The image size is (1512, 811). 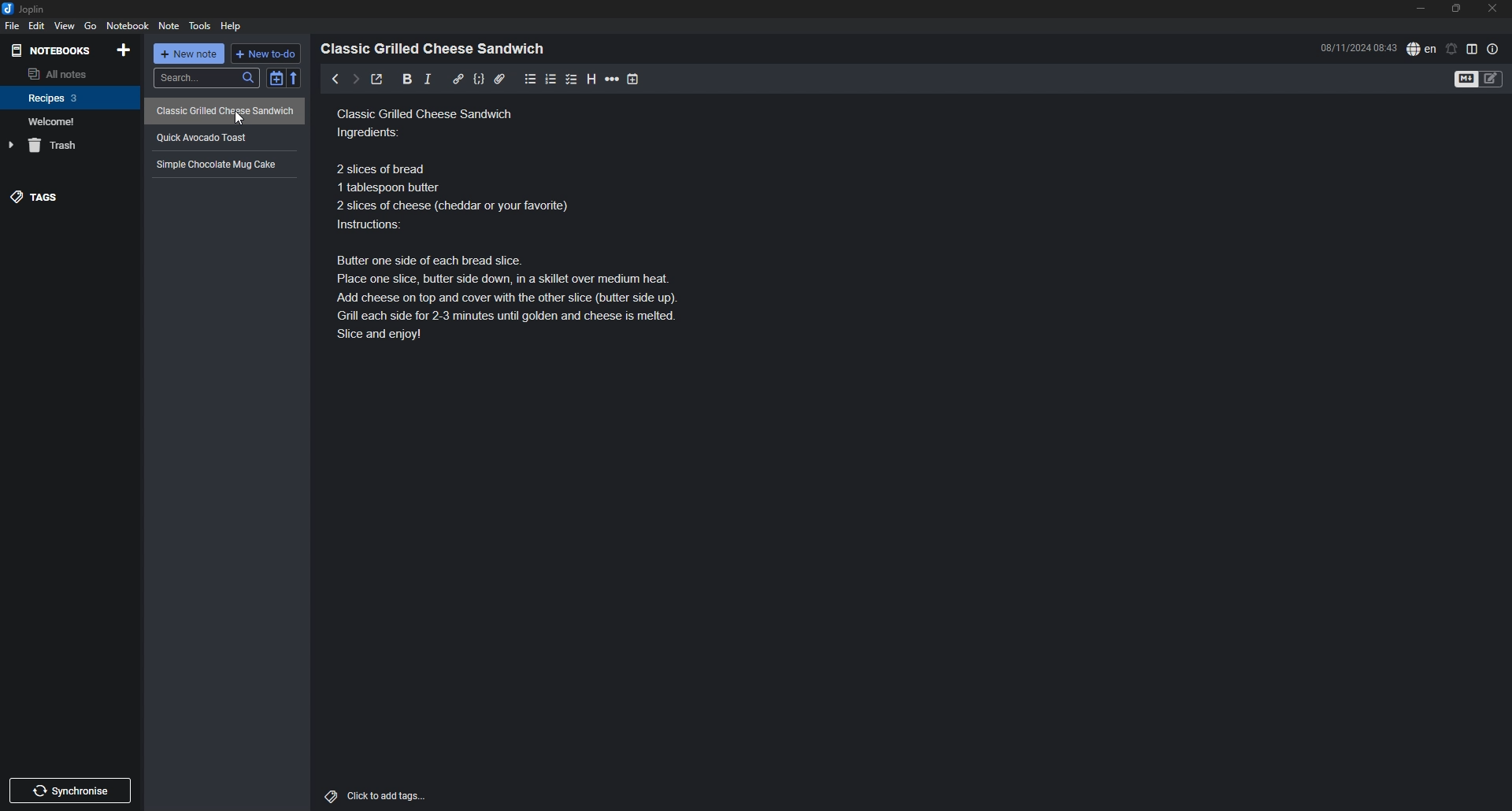 What do you see at coordinates (1452, 48) in the screenshot?
I see `set alarm` at bounding box center [1452, 48].